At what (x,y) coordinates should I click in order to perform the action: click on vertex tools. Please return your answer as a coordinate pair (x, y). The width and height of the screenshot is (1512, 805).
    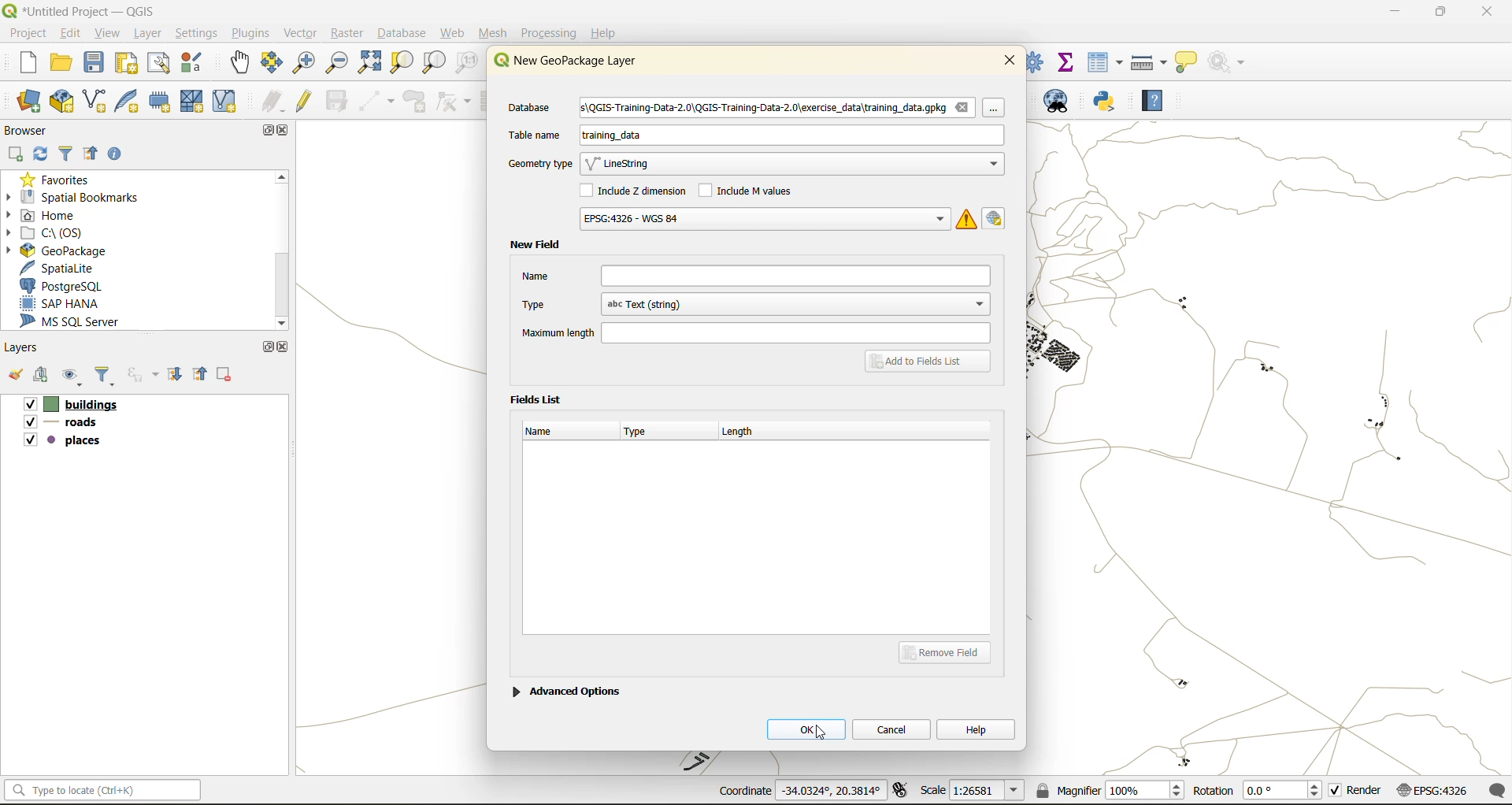
    Looking at the image, I should click on (454, 102).